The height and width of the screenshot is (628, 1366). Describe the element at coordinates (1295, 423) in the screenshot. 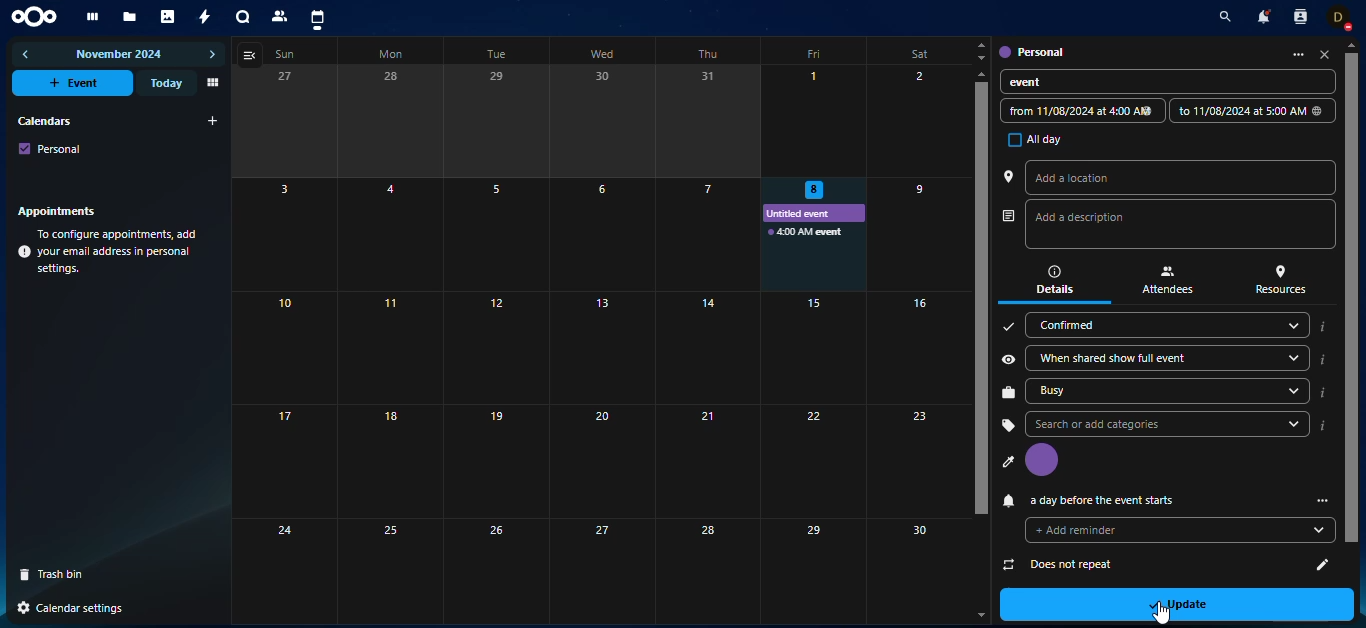

I see `drop down` at that location.